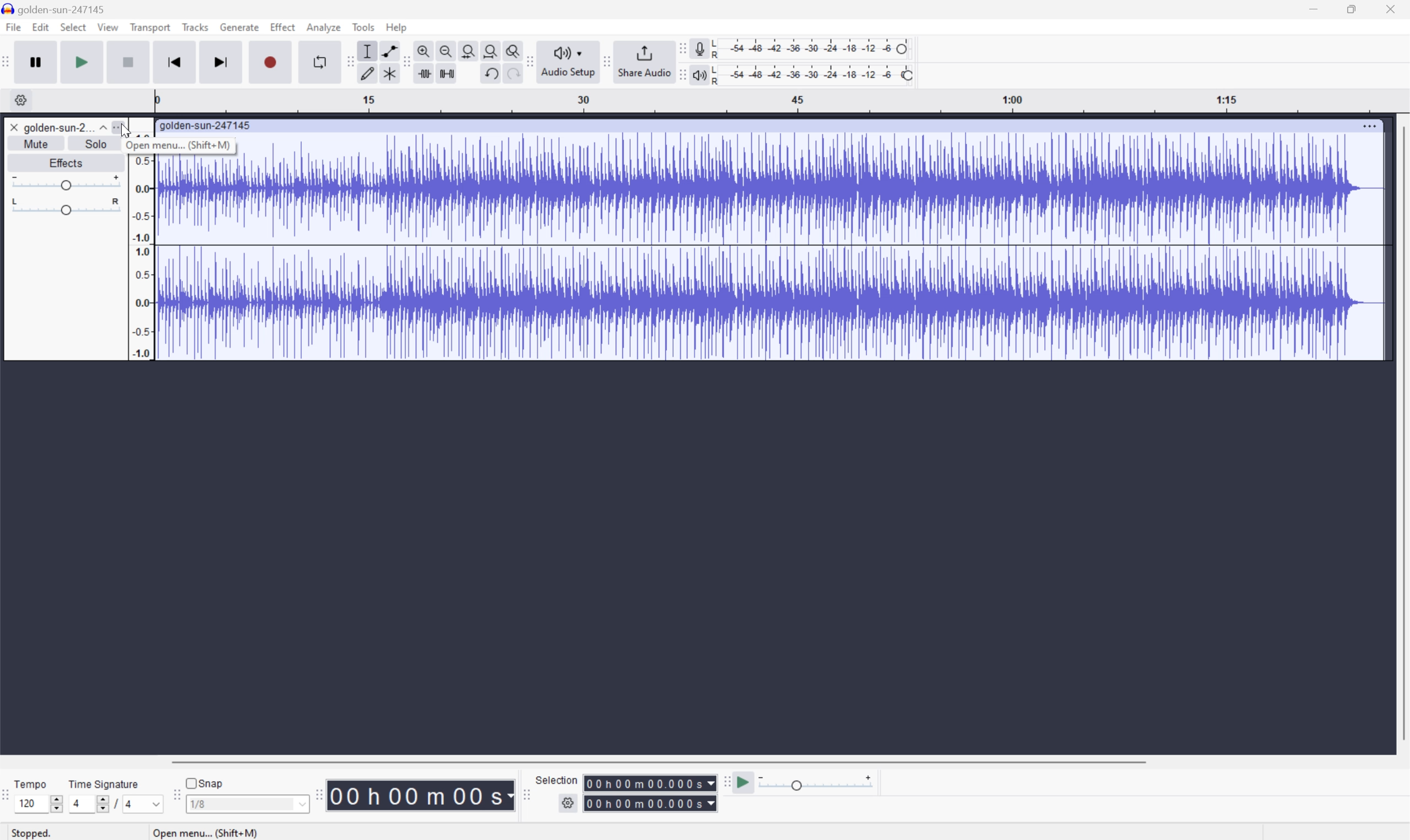 Image resolution: width=1410 pixels, height=840 pixels. I want to click on Effects, so click(68, 163).